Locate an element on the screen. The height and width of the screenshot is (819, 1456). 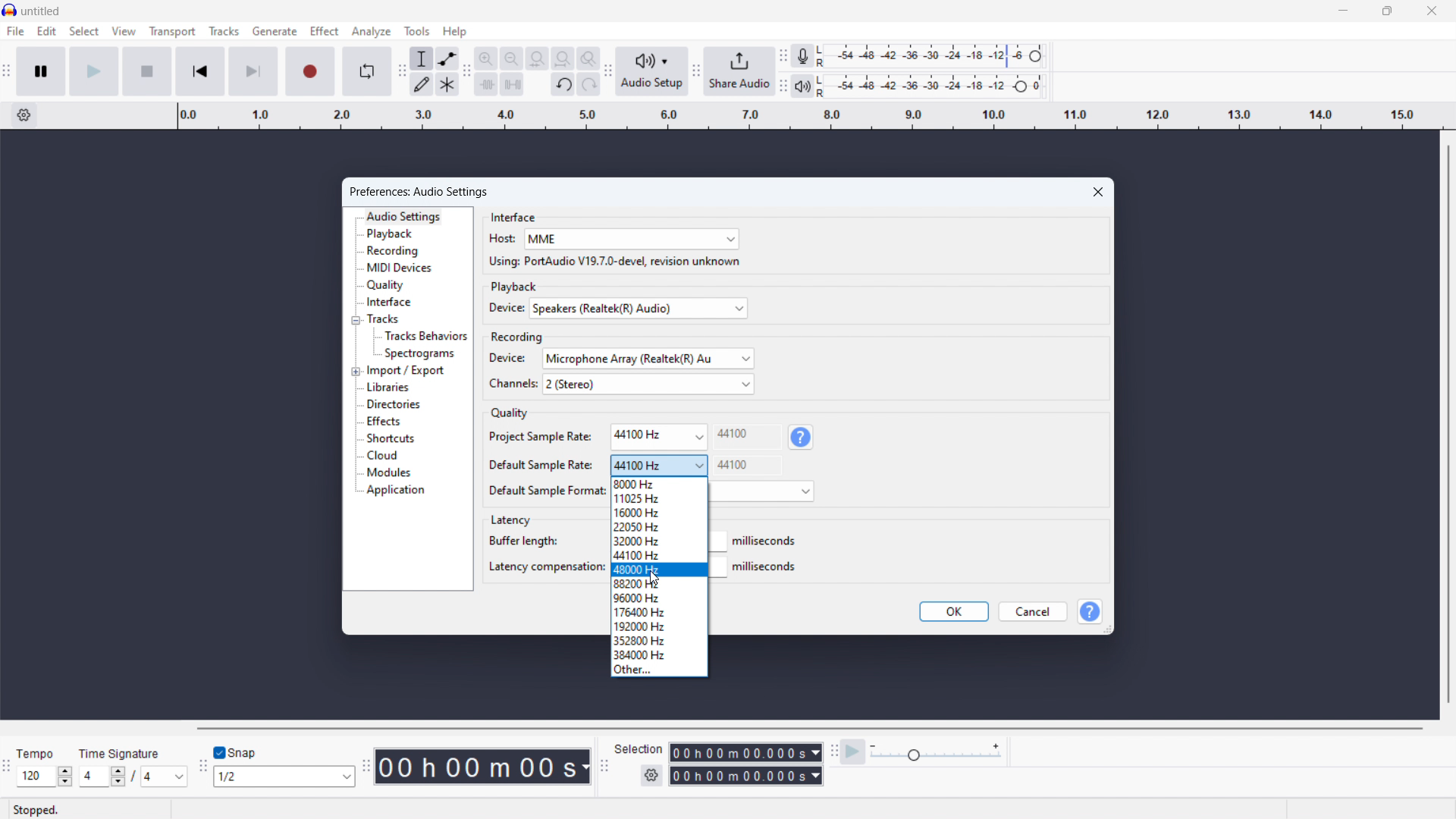
88200 Hz is located at coordinates (659, 585).